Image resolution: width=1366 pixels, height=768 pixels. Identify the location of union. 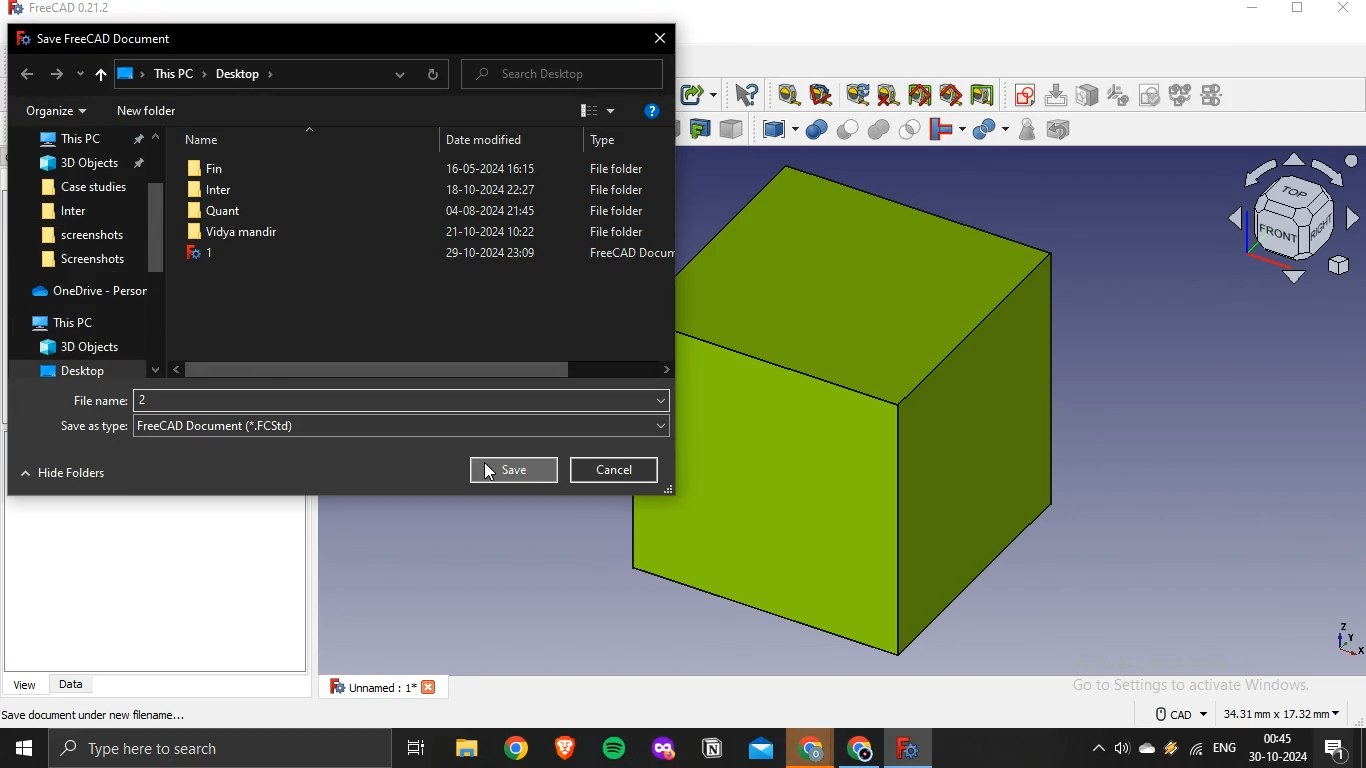
(878, 129).